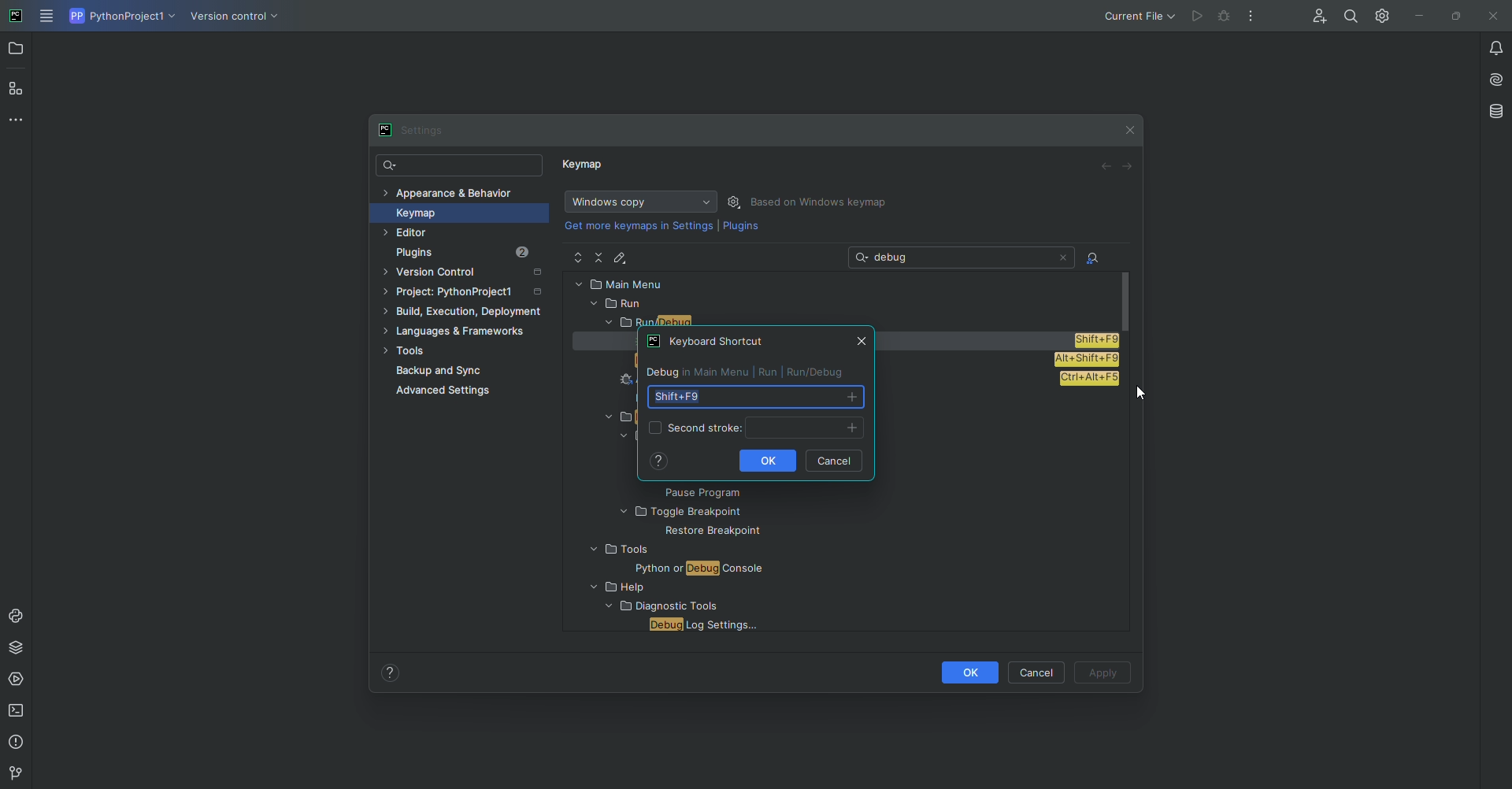  What do you see at coordinates (391, 672) in the screenshot?
I see `Help` at bounding box center [391, 672].